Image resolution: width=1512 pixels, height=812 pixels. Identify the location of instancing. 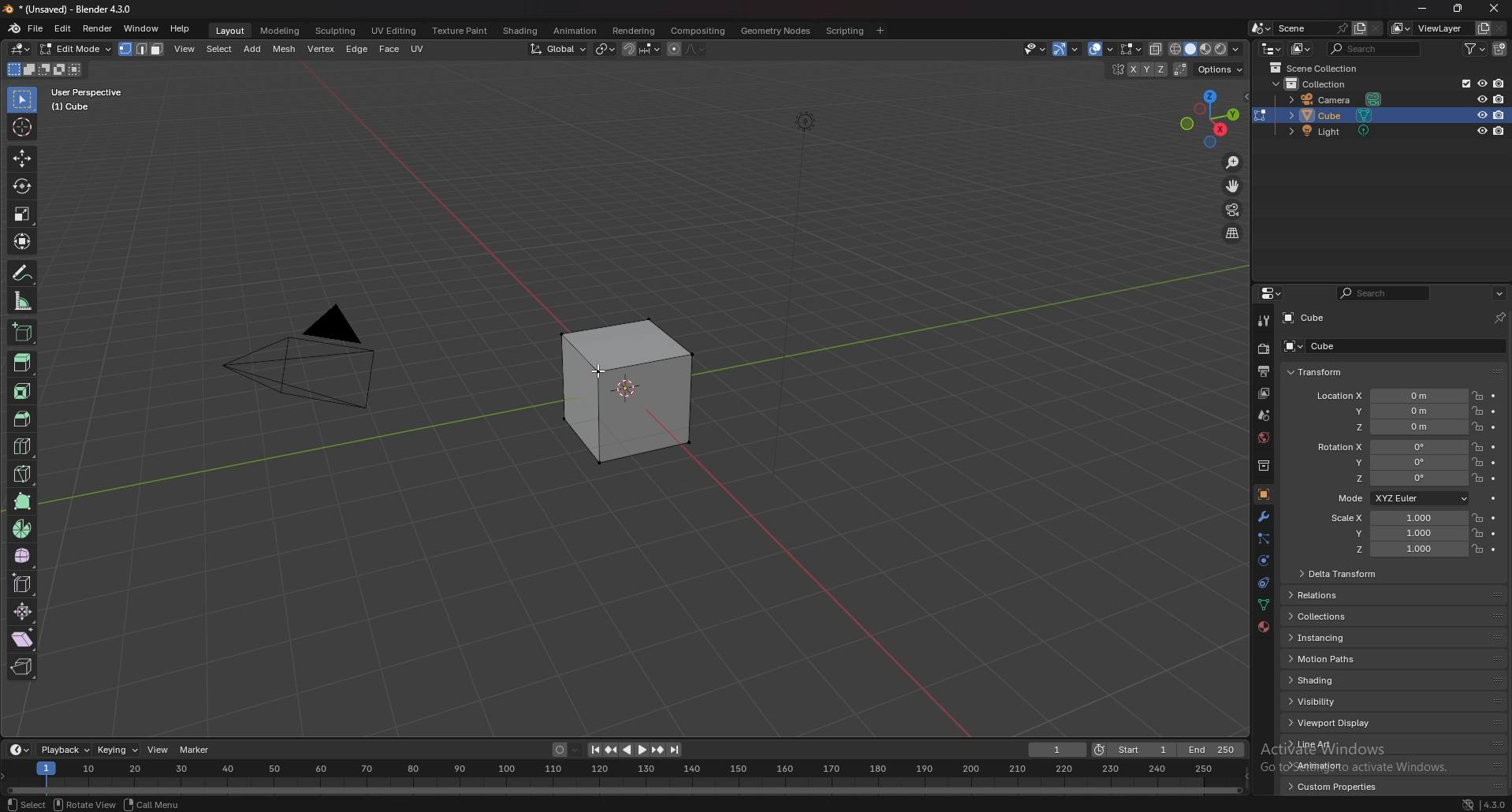
(1350, 637).